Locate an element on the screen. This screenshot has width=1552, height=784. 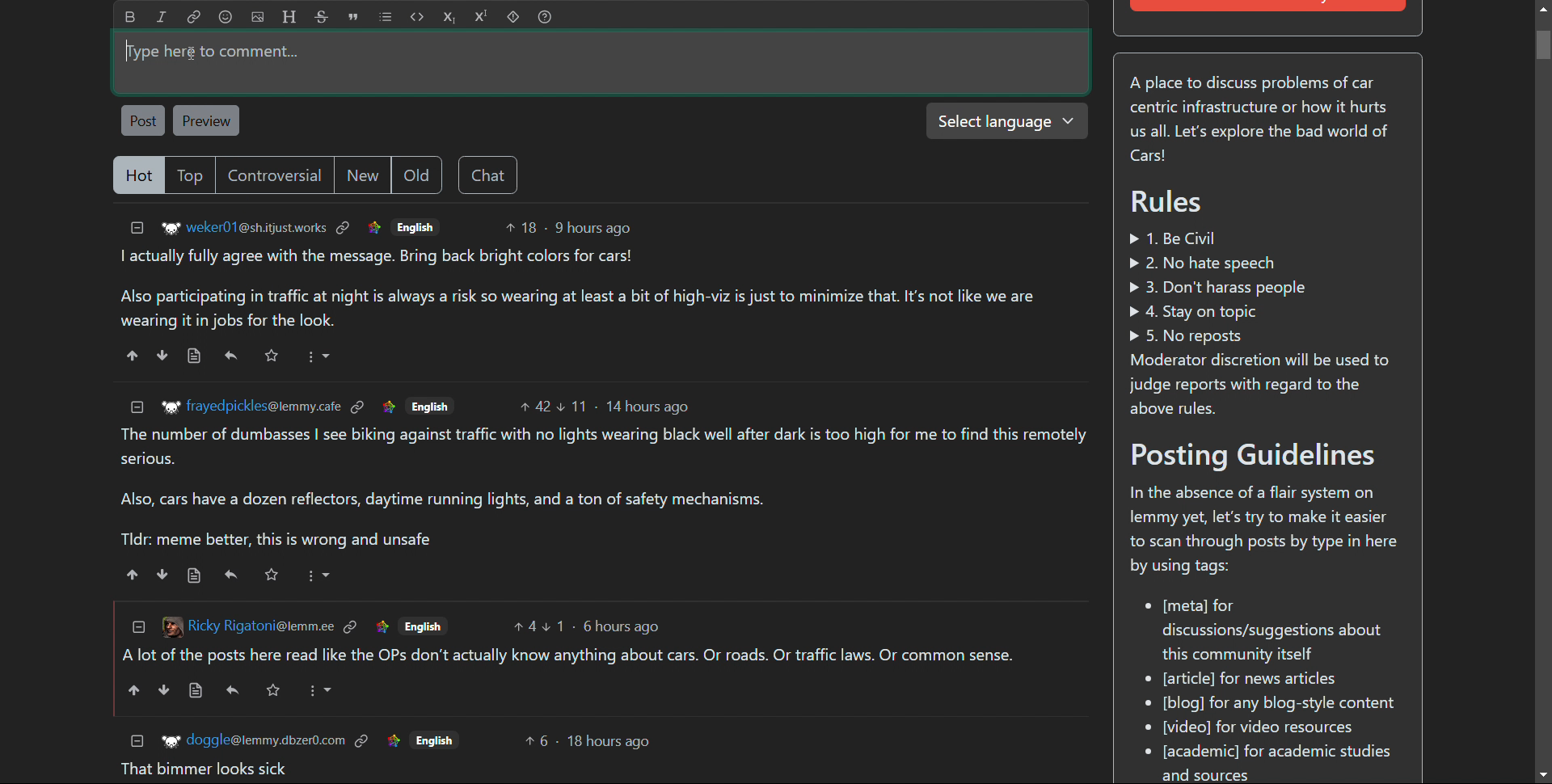
Vertical scroll bar is located at coordinates (1542, 45).